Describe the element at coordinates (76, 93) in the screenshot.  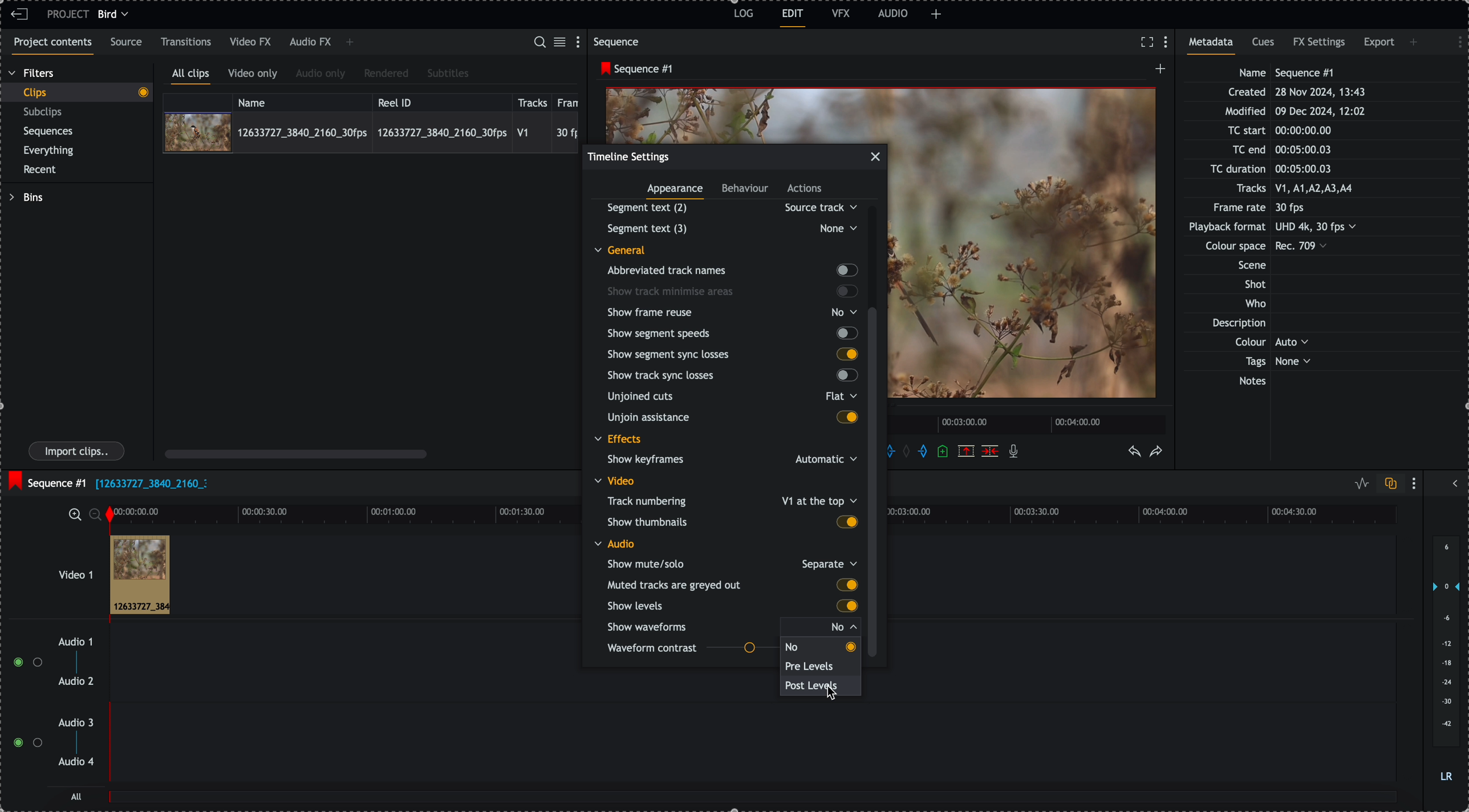
I see `clips` at that location.